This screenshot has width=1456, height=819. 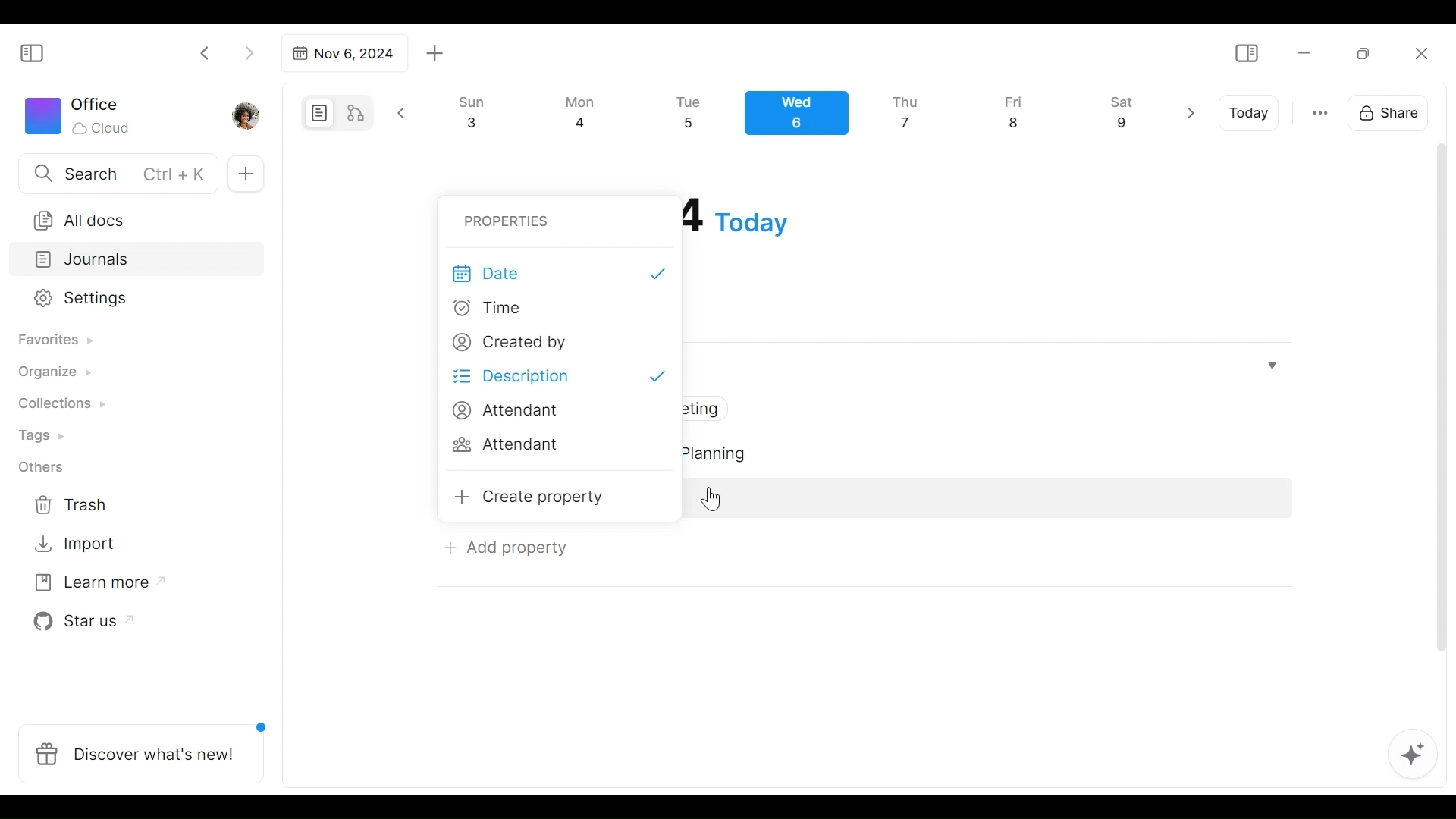 What do you see at coordinates (247, 112) in the screenshot?
I see `Profile photo` at bounding box center [247, 112].